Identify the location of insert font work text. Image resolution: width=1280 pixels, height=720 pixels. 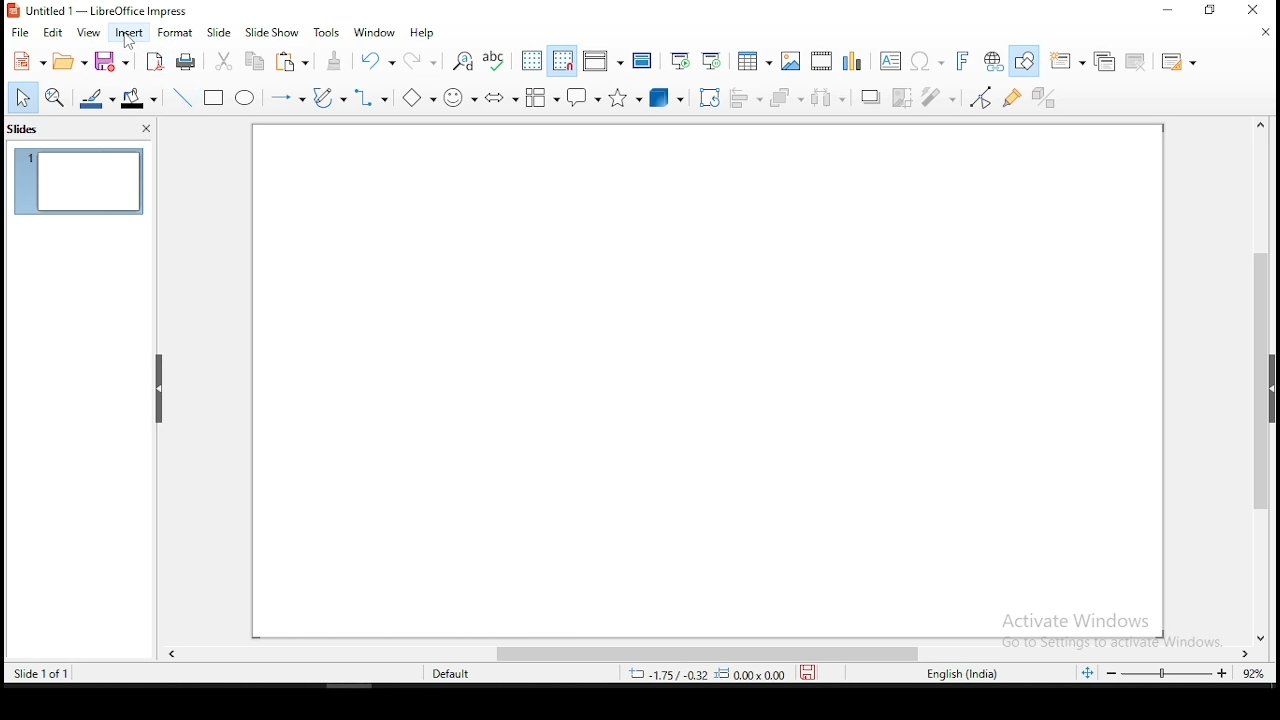
(963, 60).